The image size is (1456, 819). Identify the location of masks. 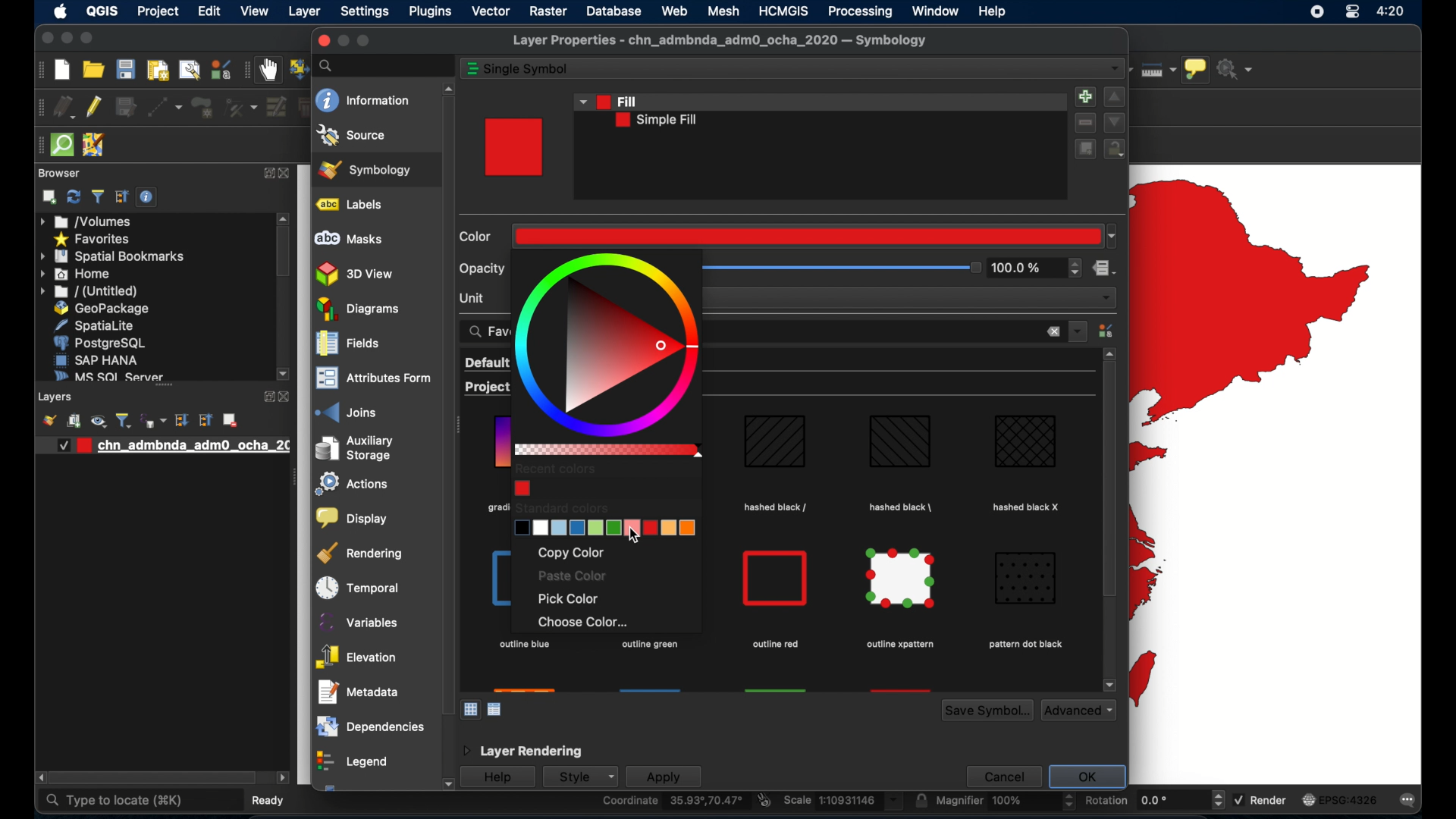
(348, 239).